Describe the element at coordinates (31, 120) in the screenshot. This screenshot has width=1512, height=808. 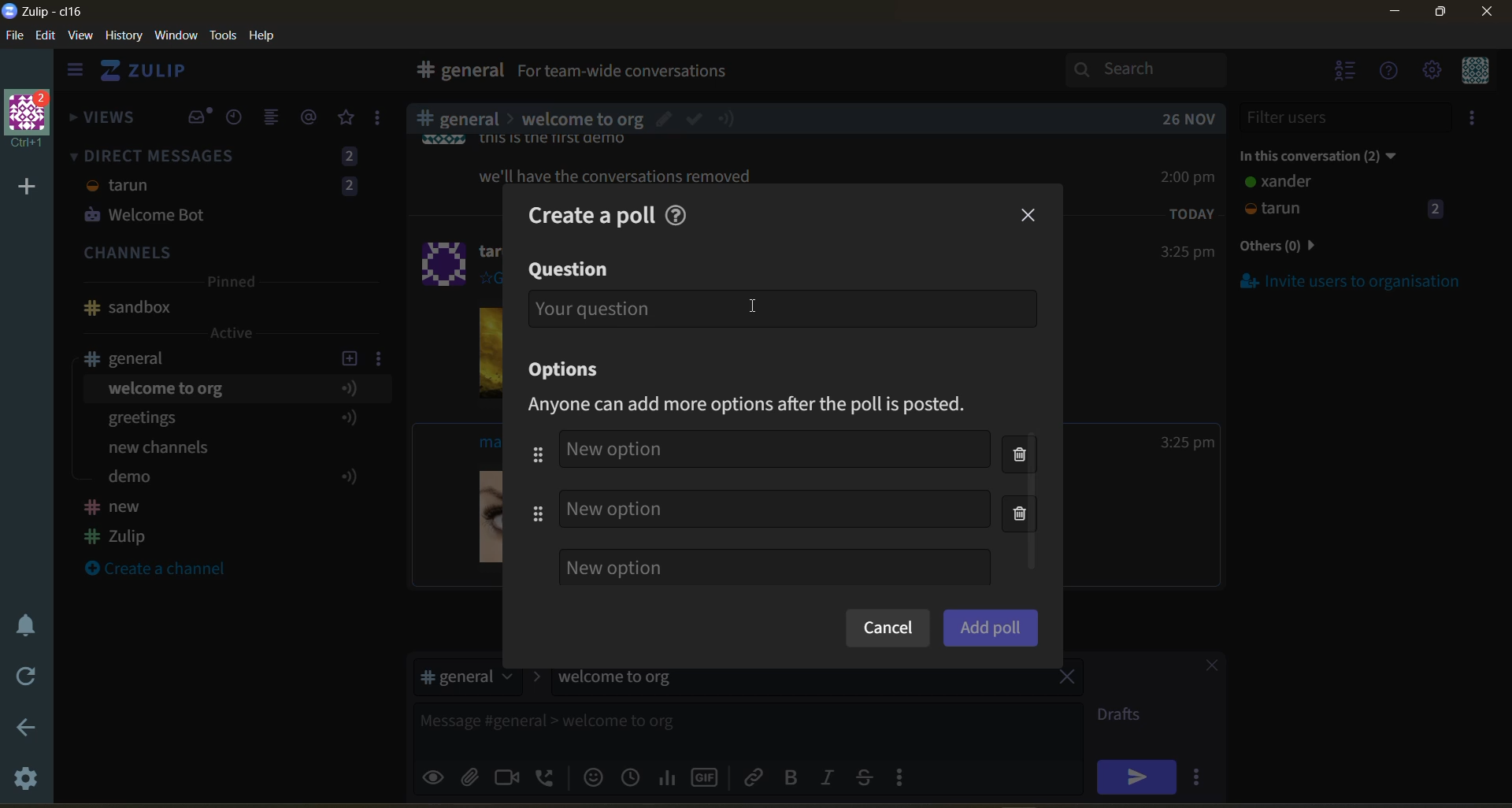
I see `organisation` at that location.